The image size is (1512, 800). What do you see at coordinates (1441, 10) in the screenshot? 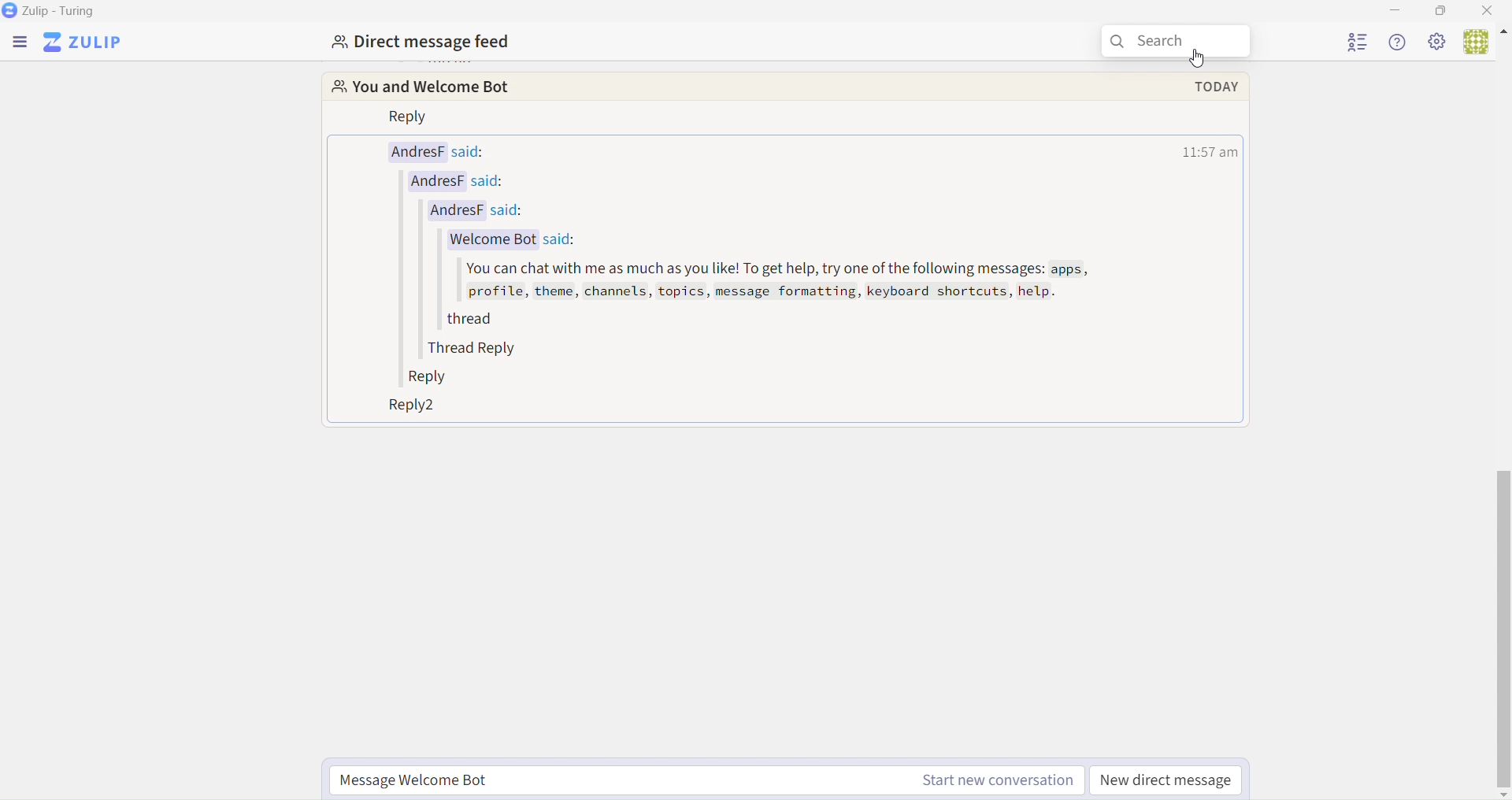
I see `Box` at bounding box center [1441, 10].